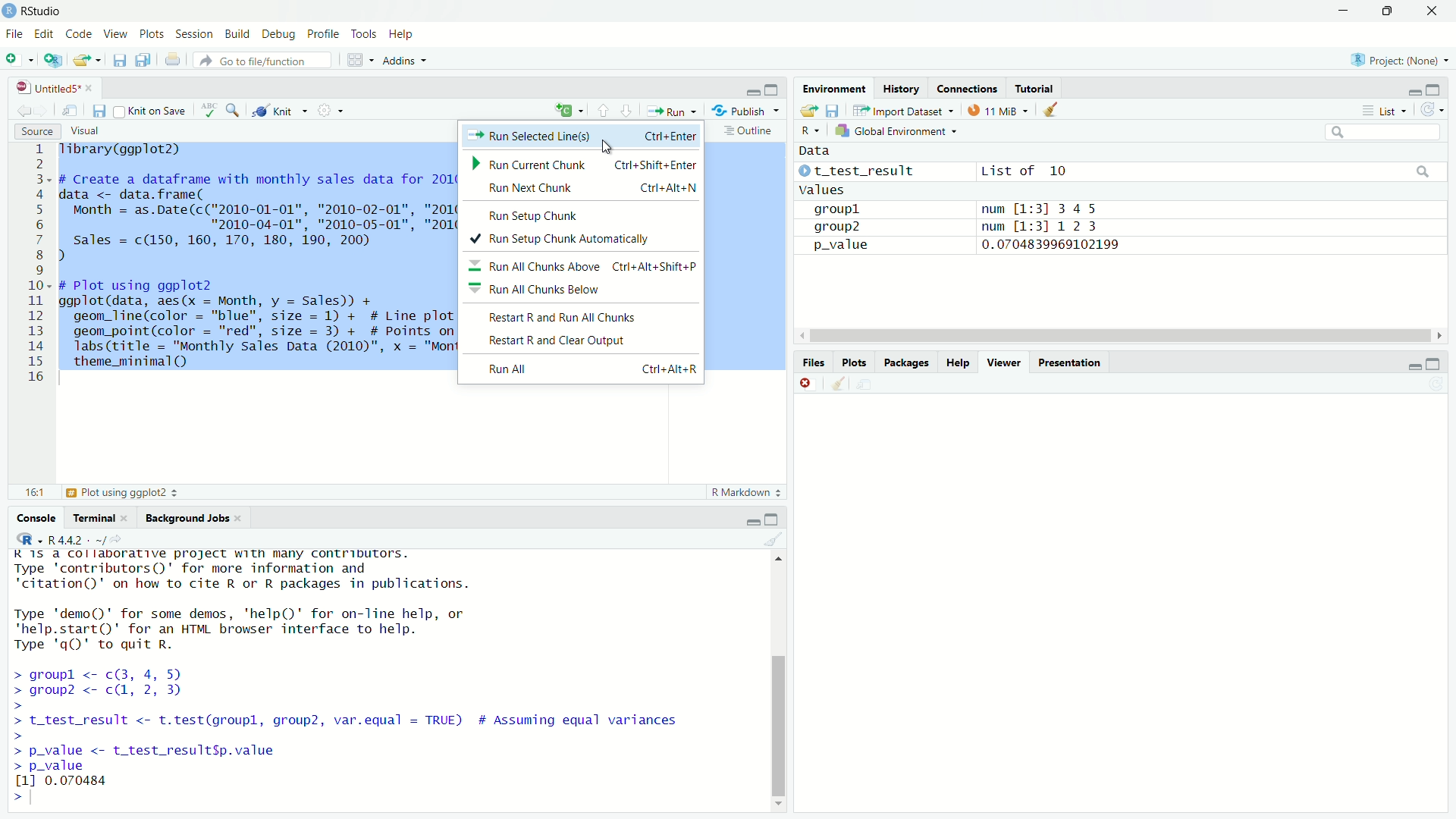 The height and width of the screenshot is (819, 1456). I want to click on R, so click(805, 129).